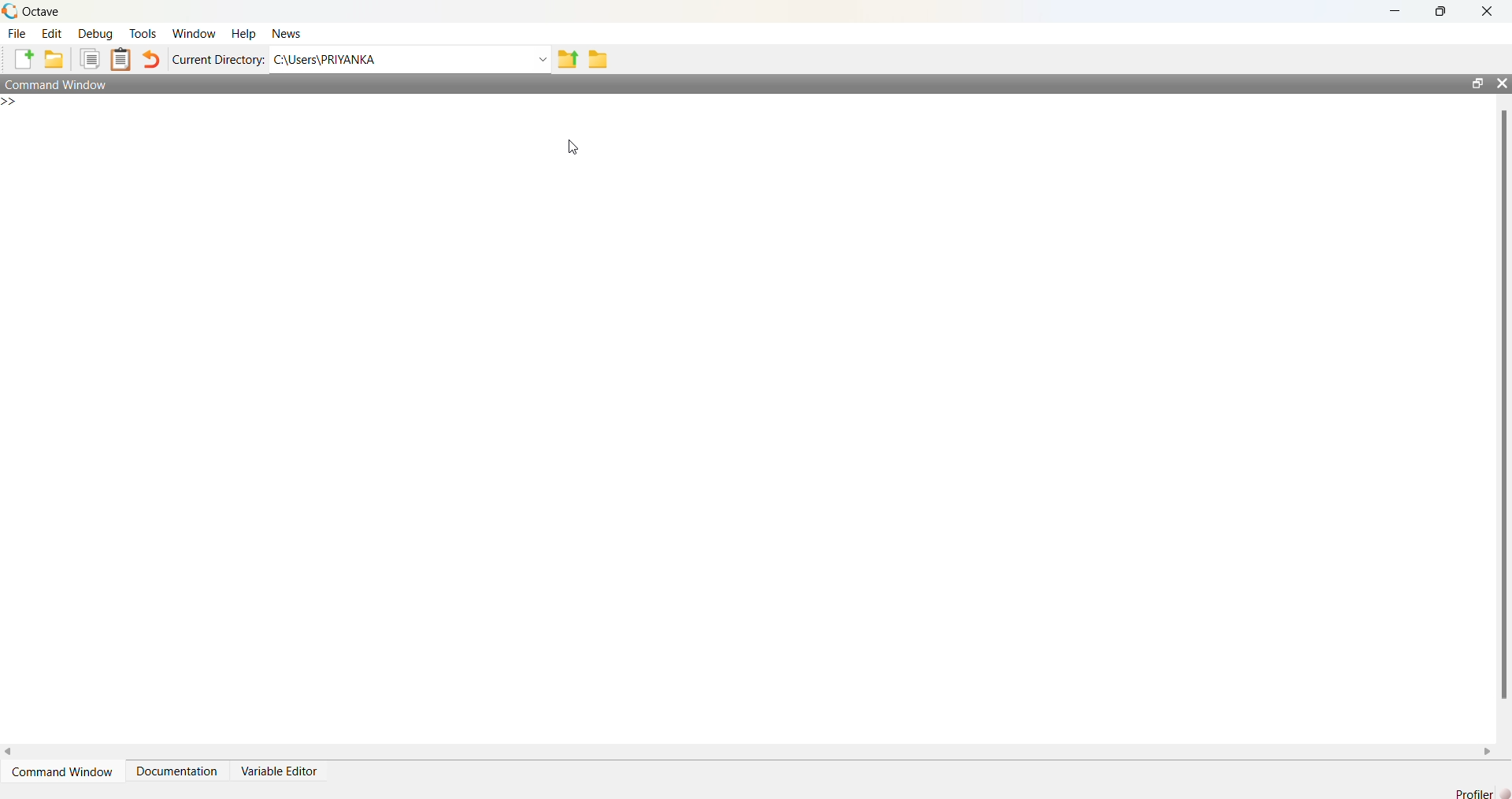 The width and height of the screenshot is (1512, 799). Describe the element at coordinates (1395, 12) in the screenshot. I see `minimize` at that location.